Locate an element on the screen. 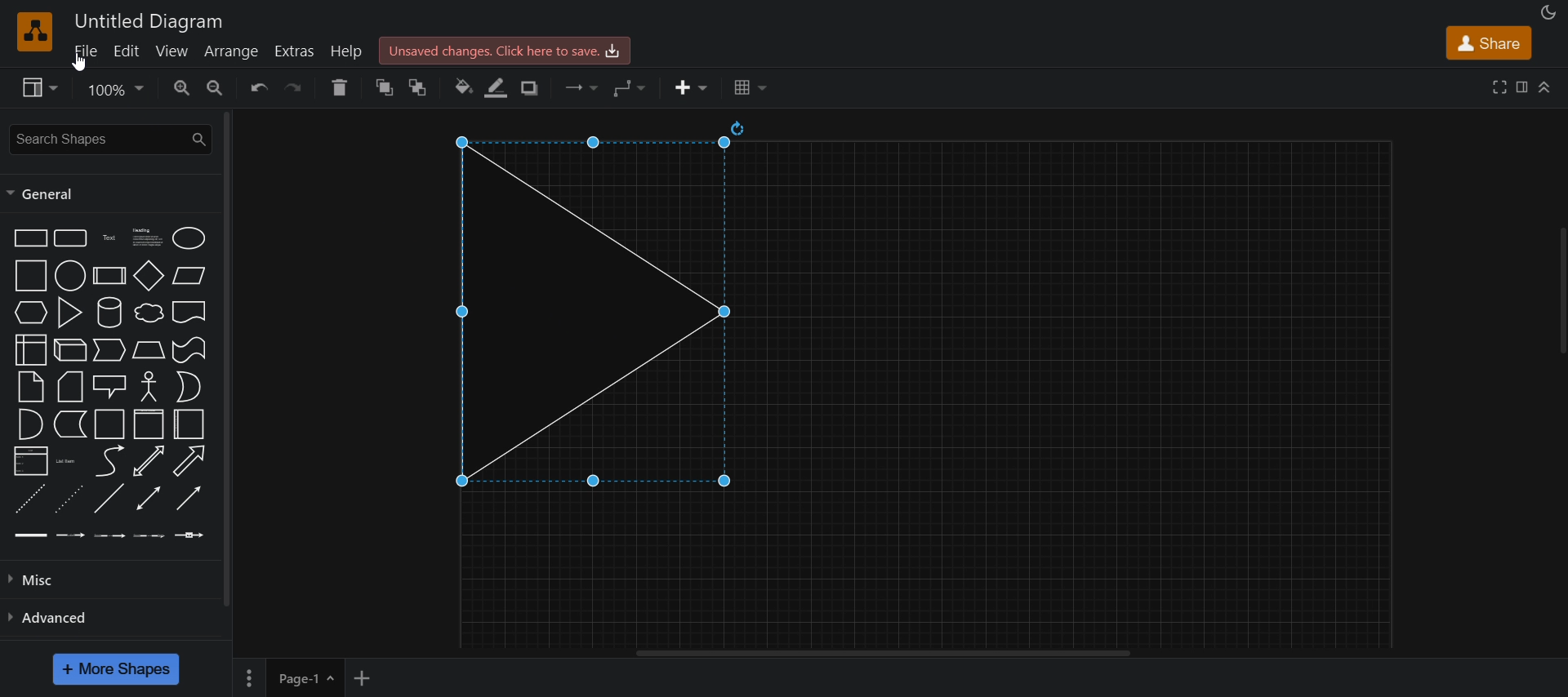 Image resolution: width=1568 pixels, height=697 pixels. internal storage is located at coordinates (30, 351).